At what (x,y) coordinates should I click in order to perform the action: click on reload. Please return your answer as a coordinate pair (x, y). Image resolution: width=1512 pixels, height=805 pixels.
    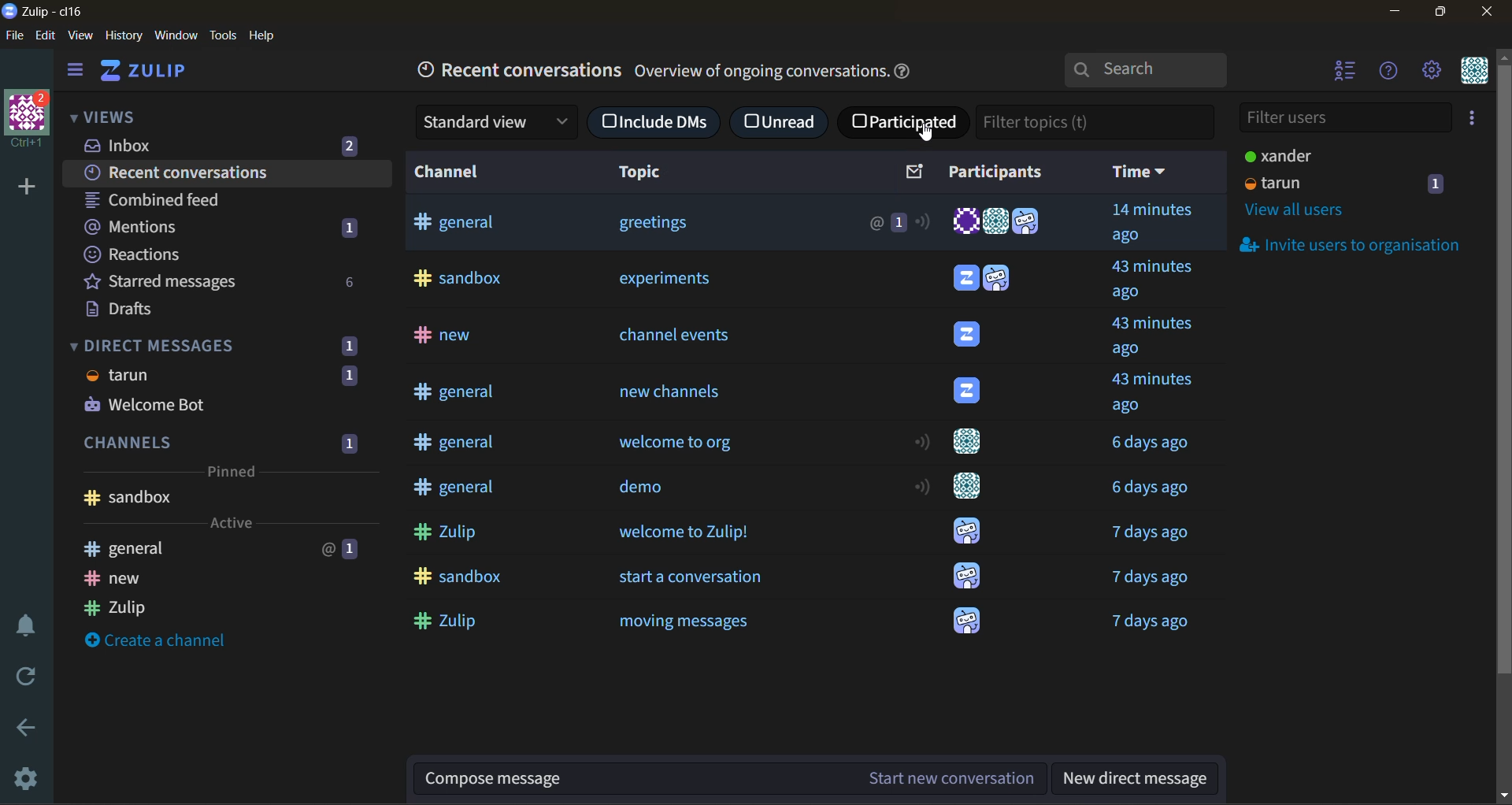
    Looking at the image, I should click on (24, 677).